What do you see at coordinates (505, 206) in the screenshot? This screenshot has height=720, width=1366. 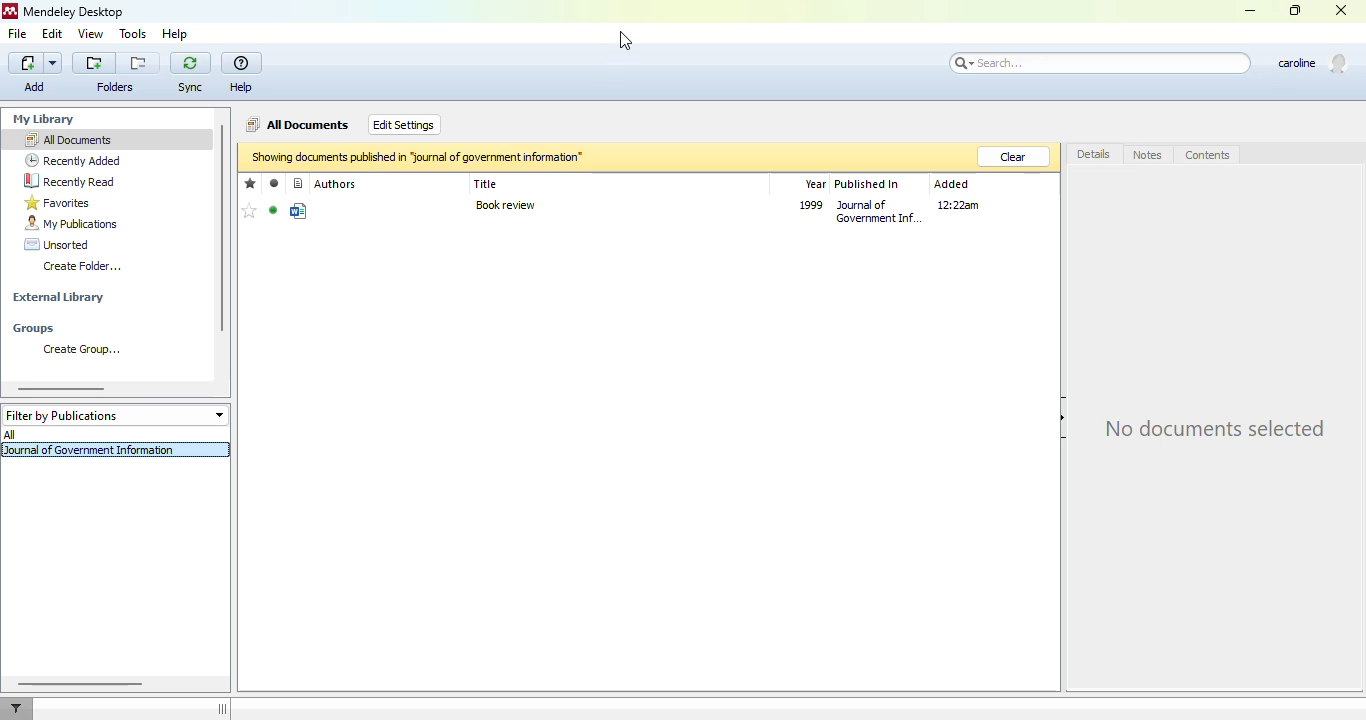 I see `book review` at bounding box center [505, 206].